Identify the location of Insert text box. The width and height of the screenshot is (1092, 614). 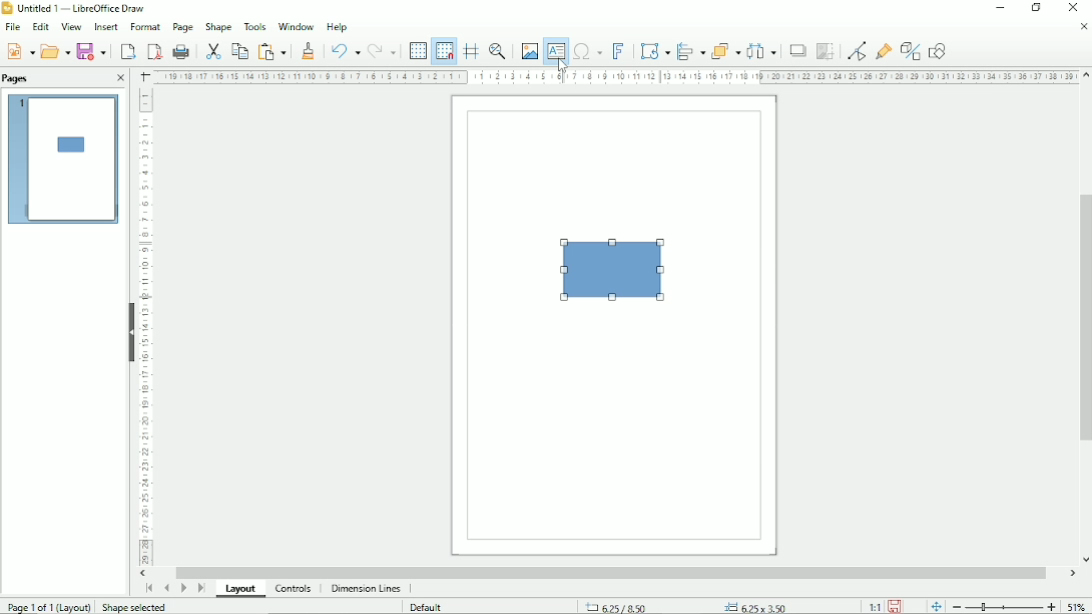
(556, 52).